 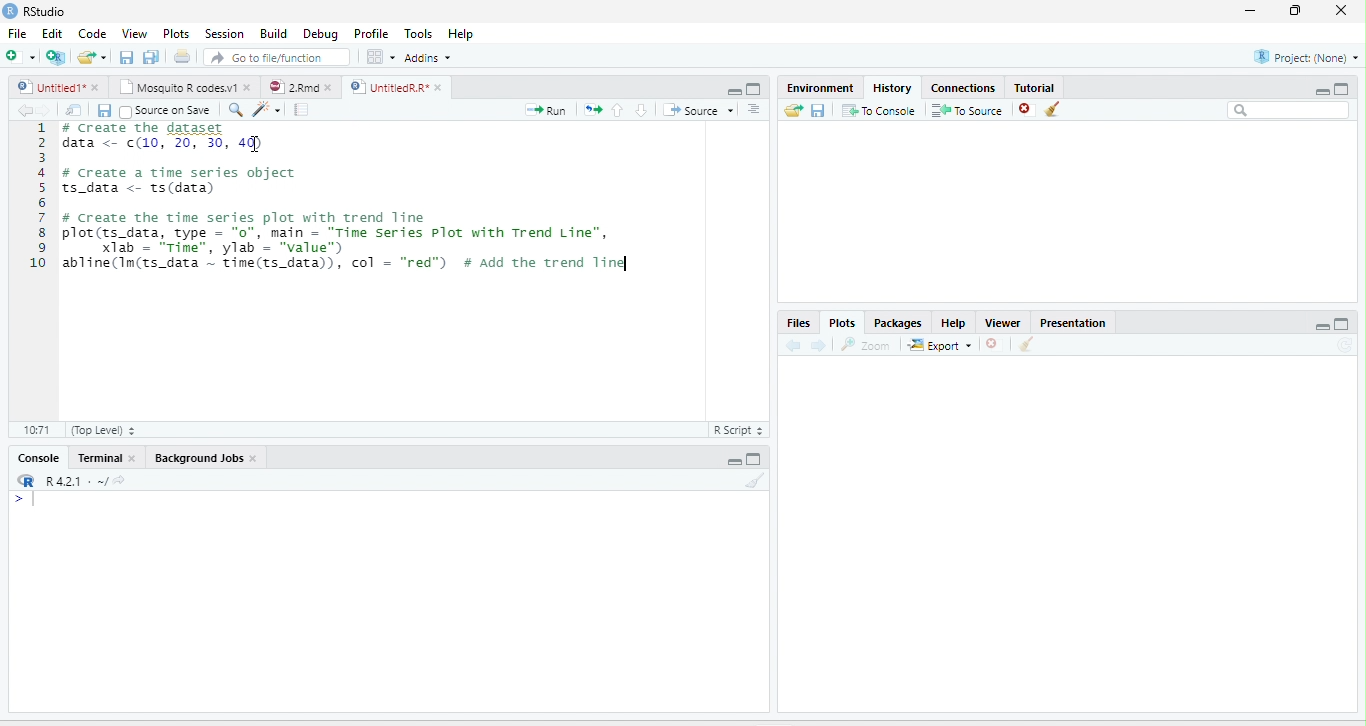 What do you see at coordinates (151, 56) in the screenshot?
I see `Save all open documents` at bounding box center [151, 56].